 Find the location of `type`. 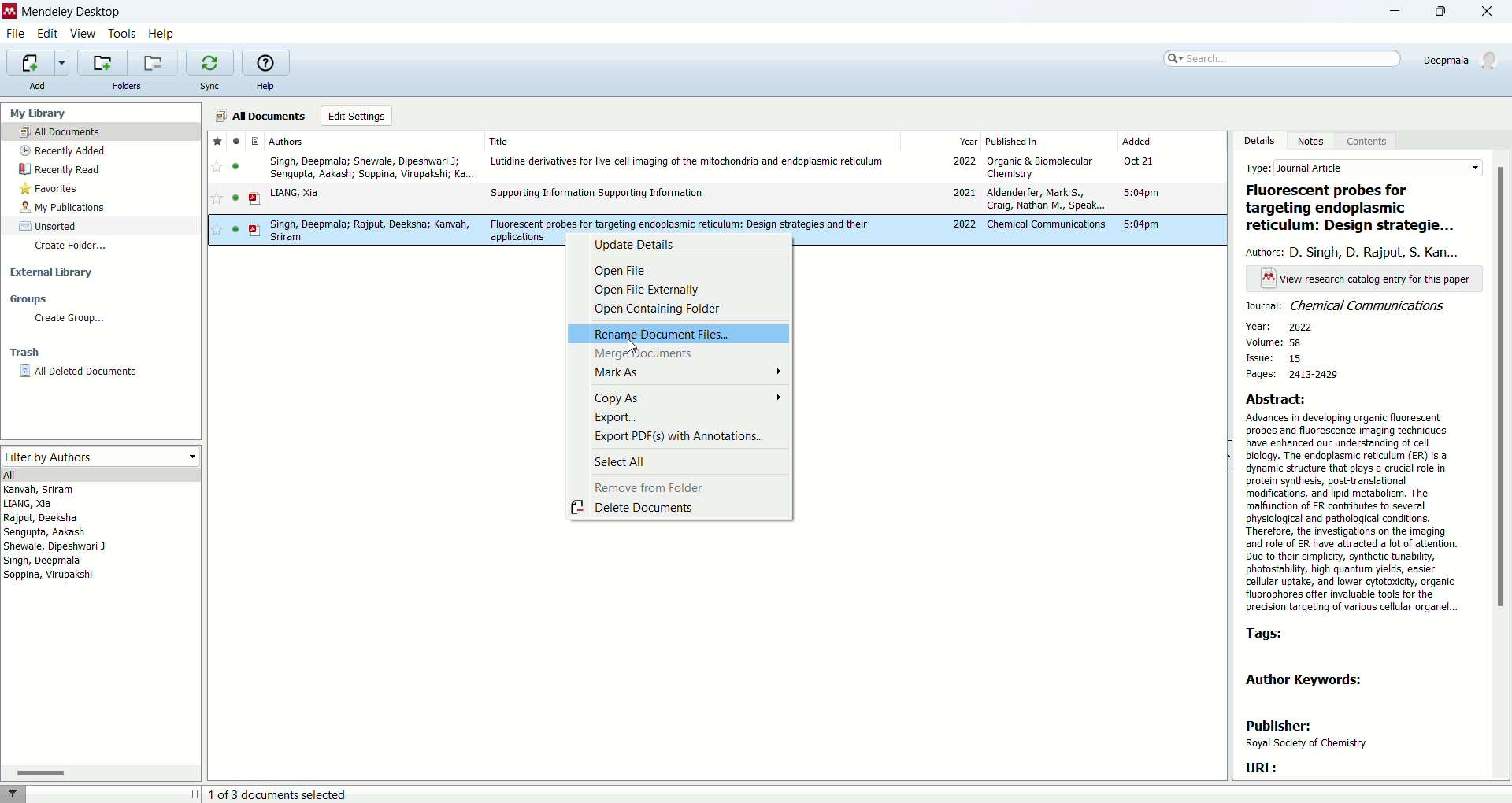

type is located at coordinates (1365, 168).